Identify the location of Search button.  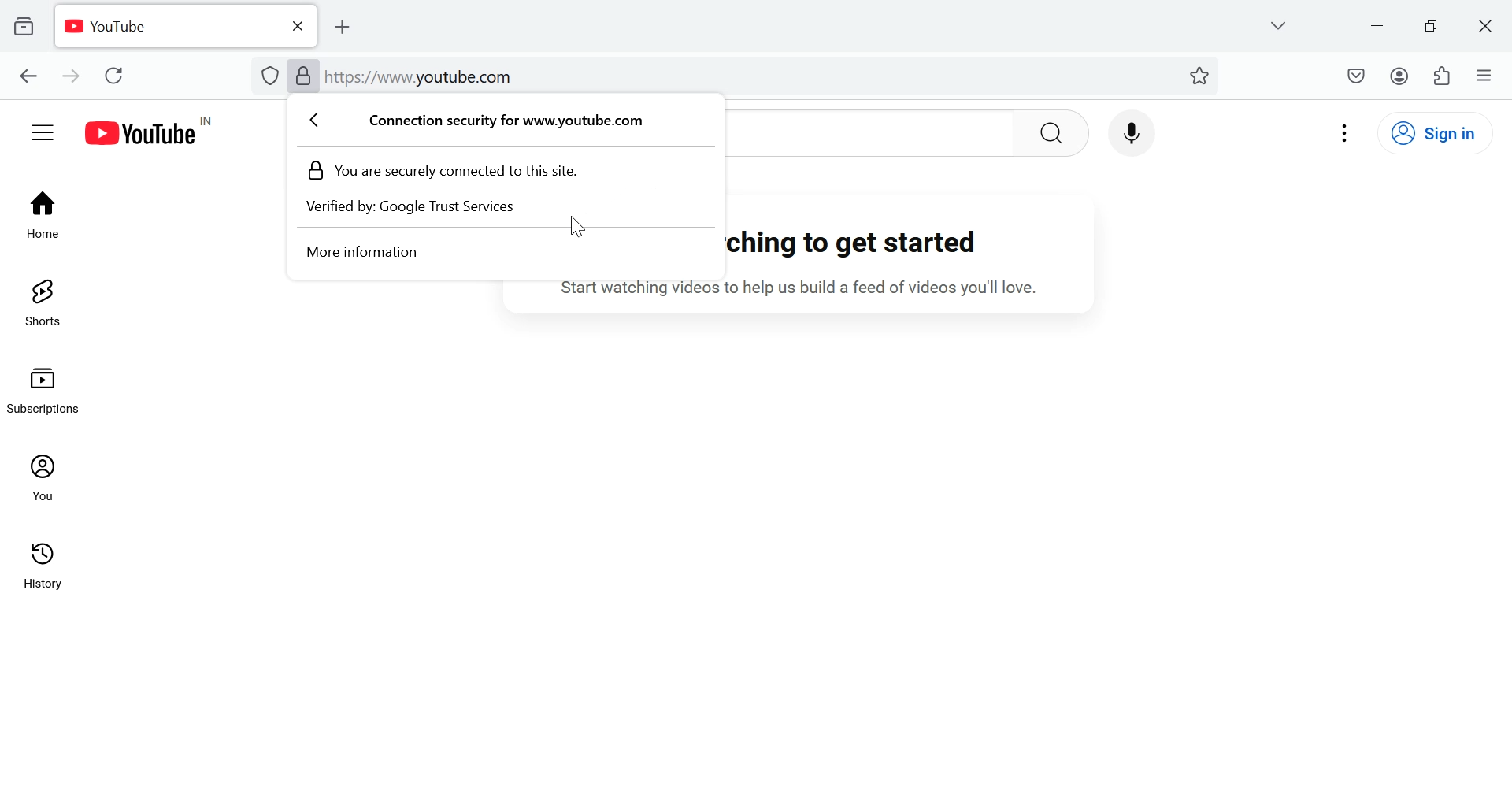
(1052, 132).